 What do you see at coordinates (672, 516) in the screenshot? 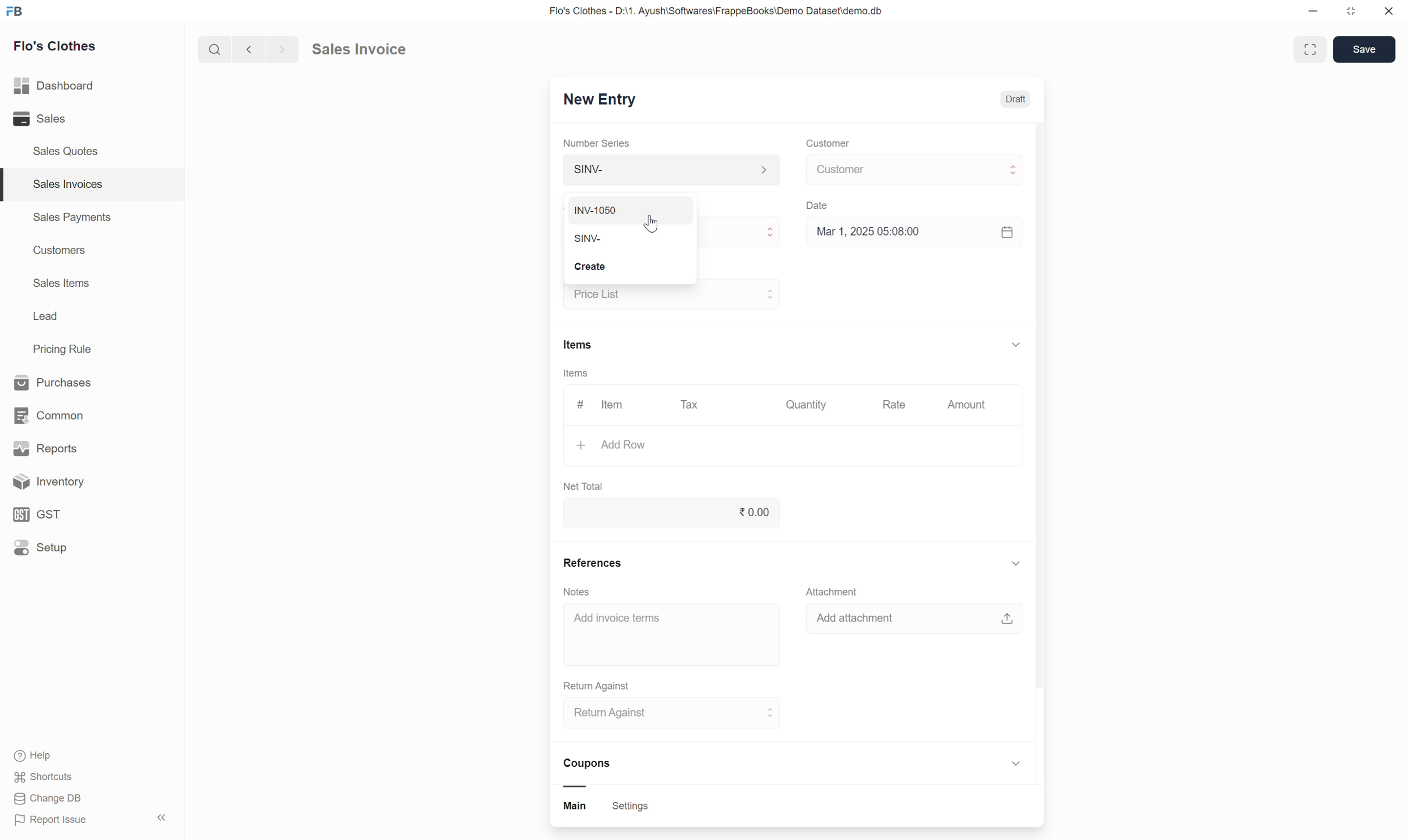
I see `net total input box` at bounding box center [672, 516].